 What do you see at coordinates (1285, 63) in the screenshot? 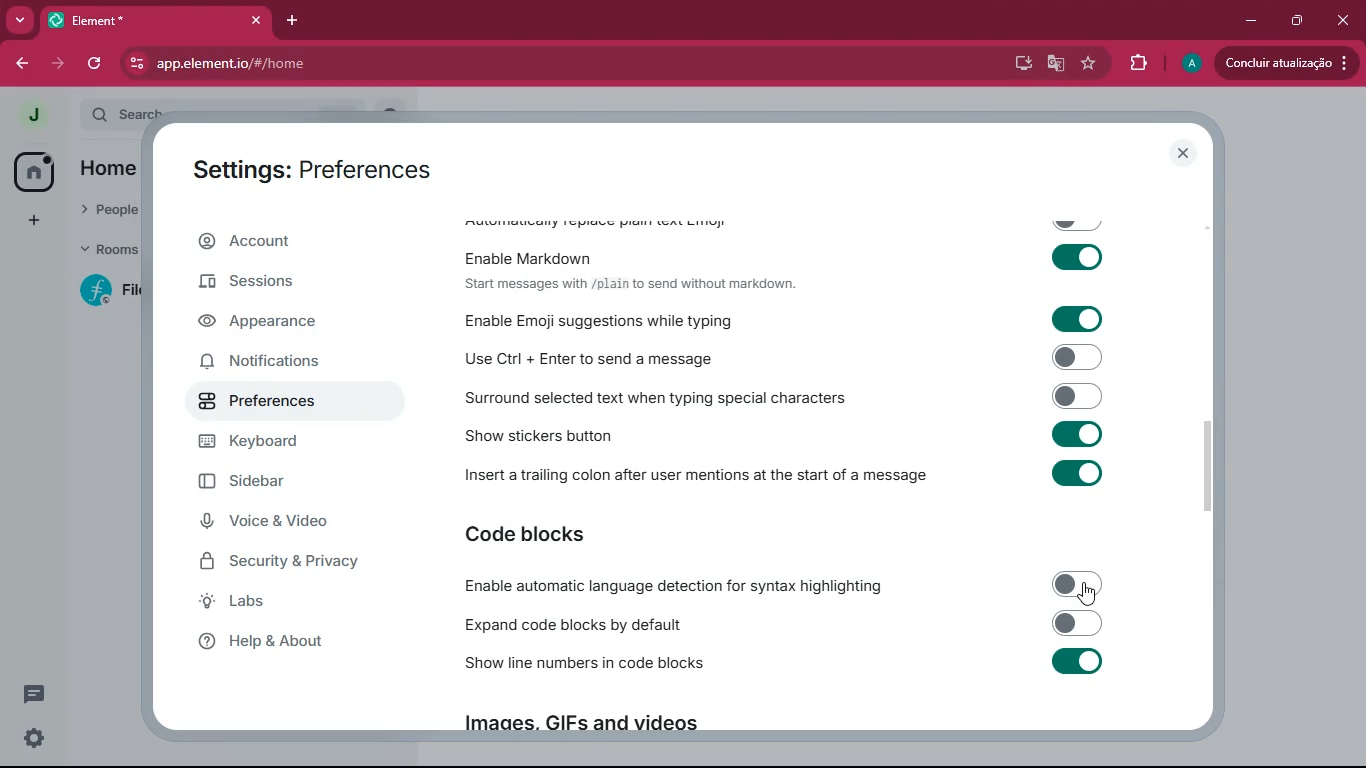
I see `conduir atualizacao` at bounding box center [1285, 63].